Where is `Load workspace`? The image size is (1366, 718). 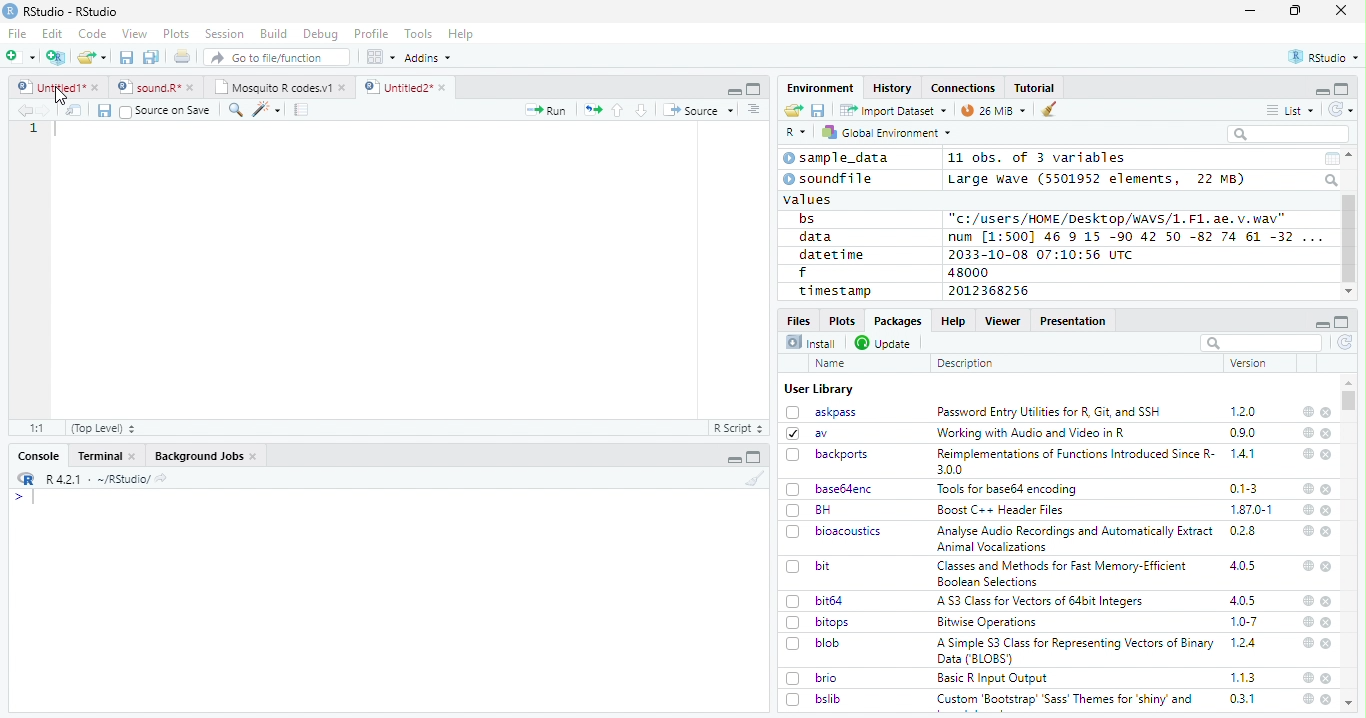
Load workspace is located at coordinates (794, 111).